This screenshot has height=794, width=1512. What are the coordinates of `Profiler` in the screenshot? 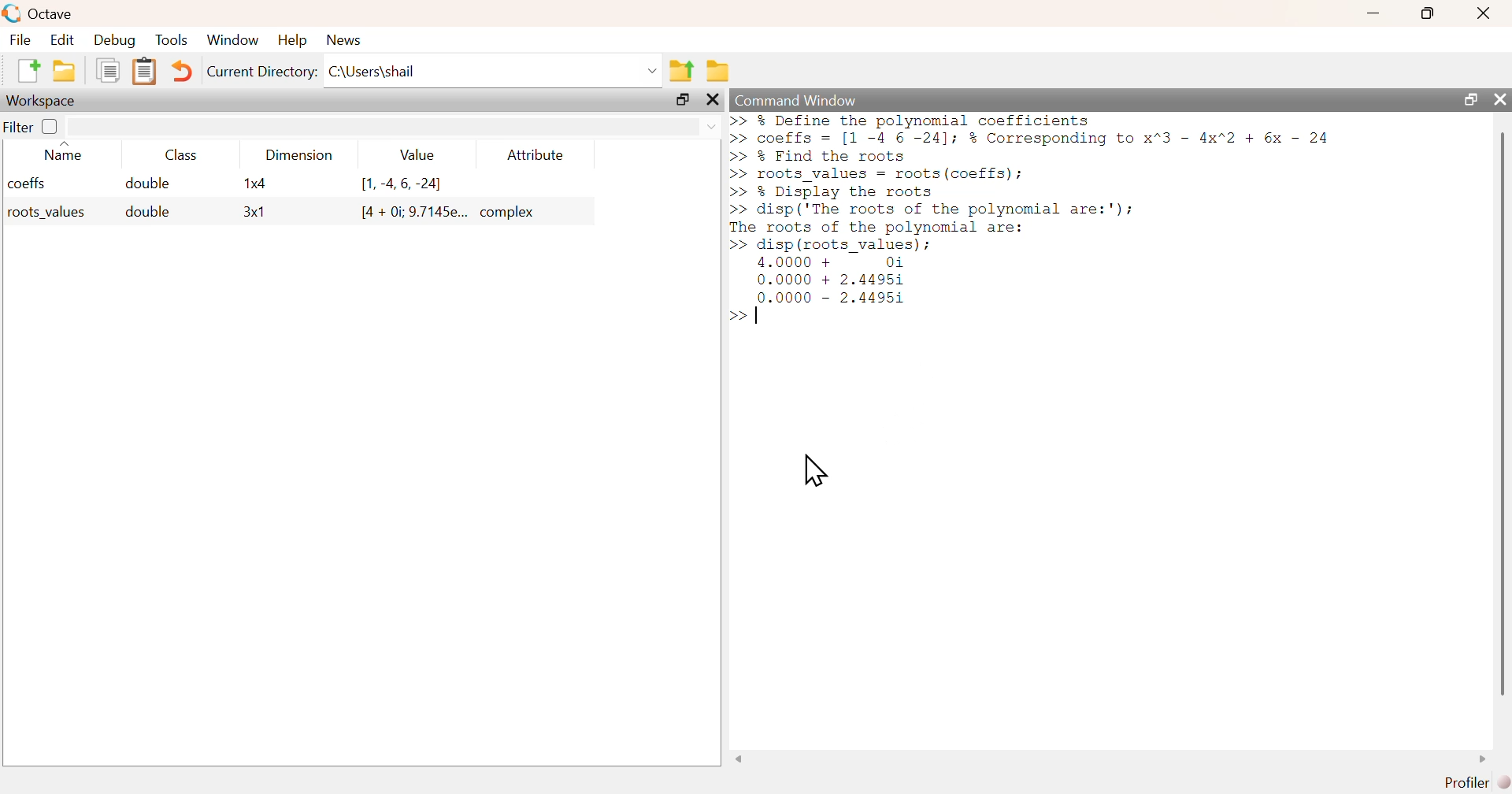 It's located at (1473, 781).